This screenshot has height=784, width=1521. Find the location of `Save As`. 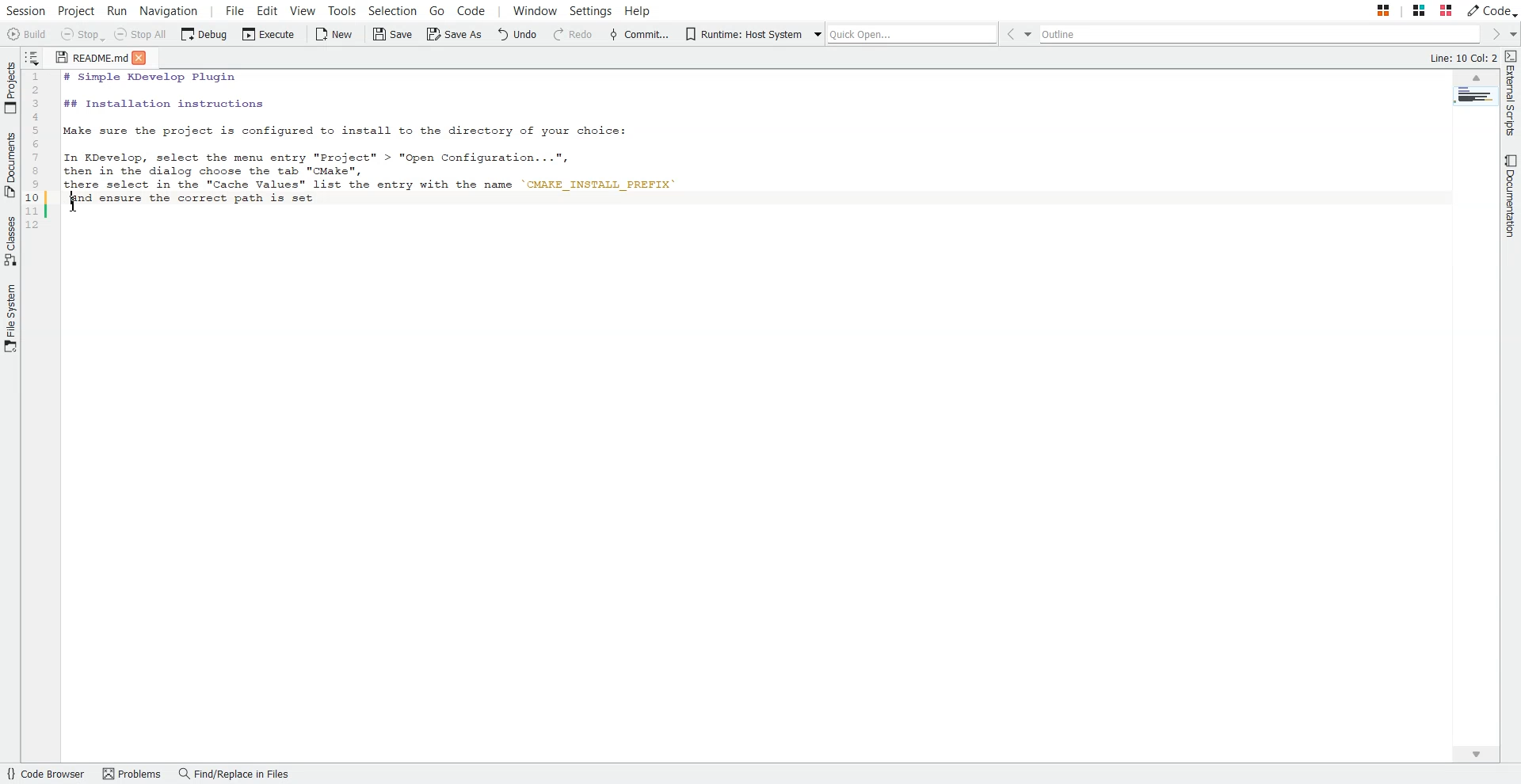

Save As is located at coordinates (453, 35).